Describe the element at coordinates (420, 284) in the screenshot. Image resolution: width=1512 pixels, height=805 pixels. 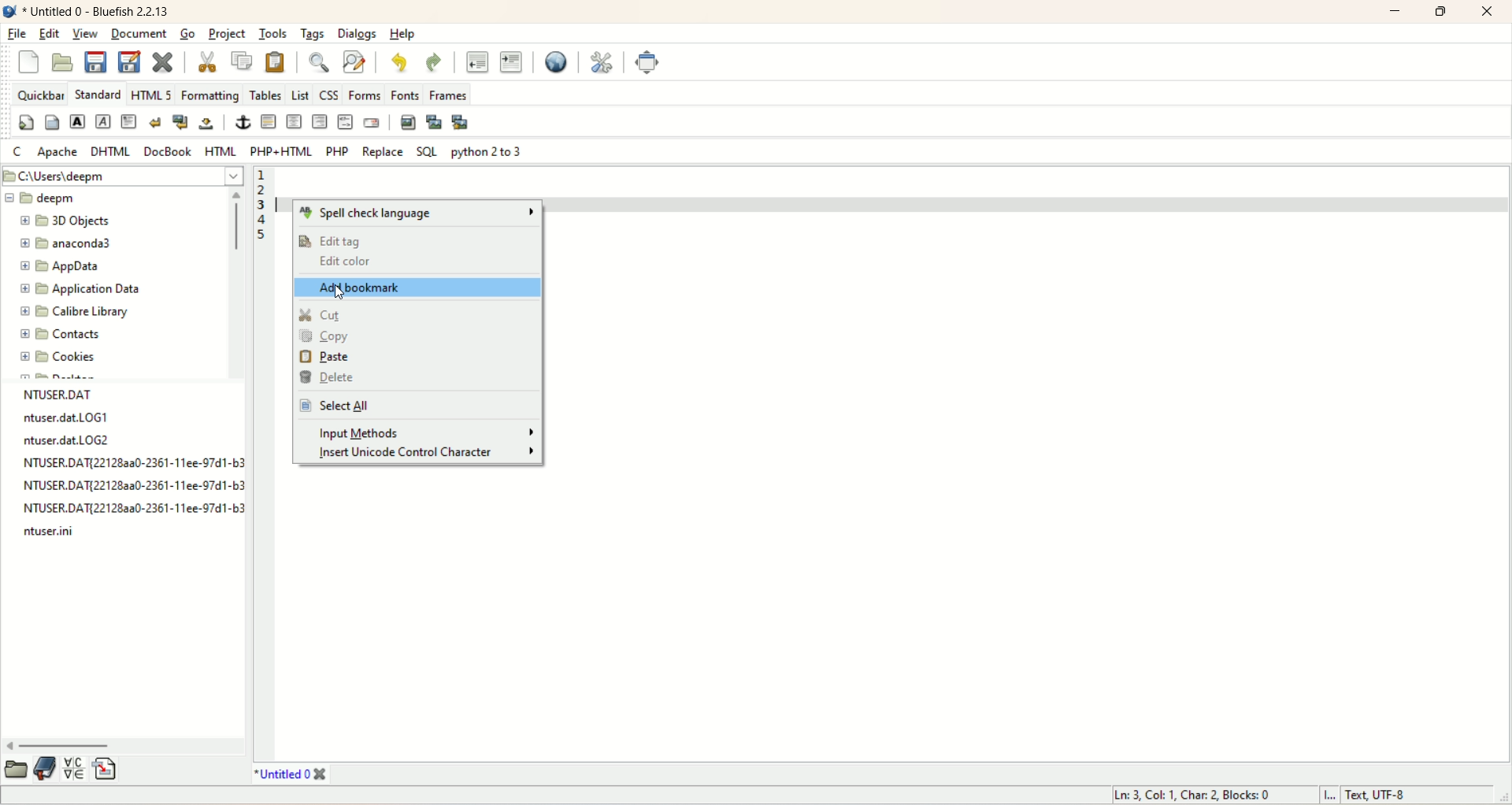
I see `add bookmark` at that location.